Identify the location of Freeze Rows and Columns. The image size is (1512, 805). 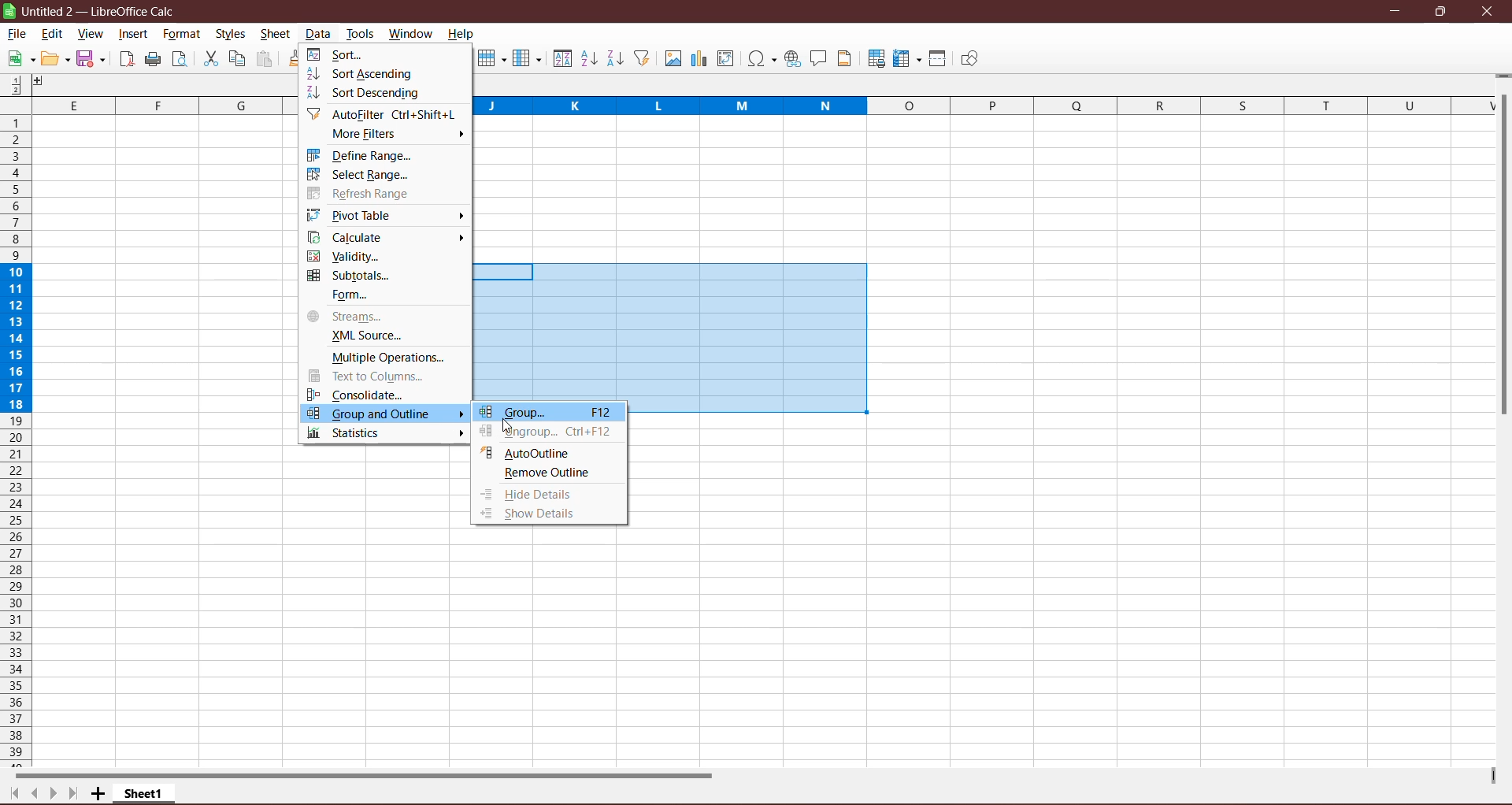
(908, 59).